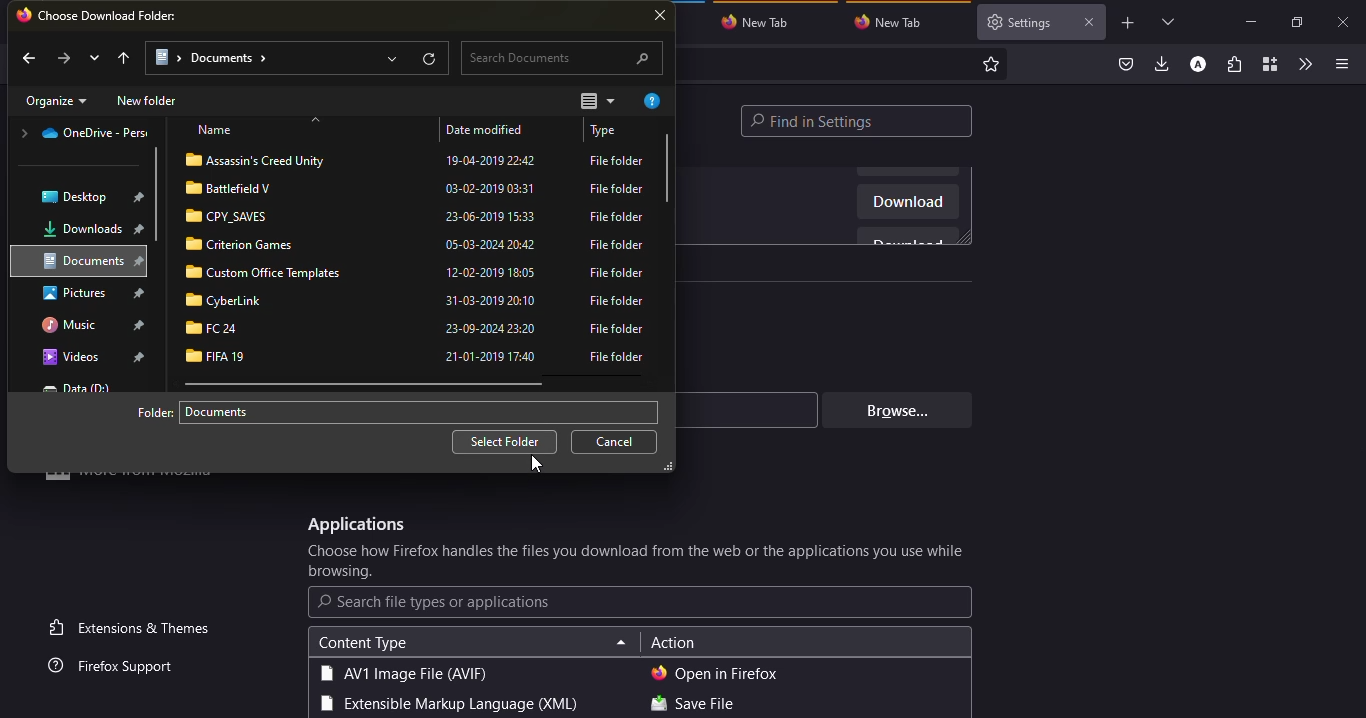  I want to click on type, so click(446, 705).